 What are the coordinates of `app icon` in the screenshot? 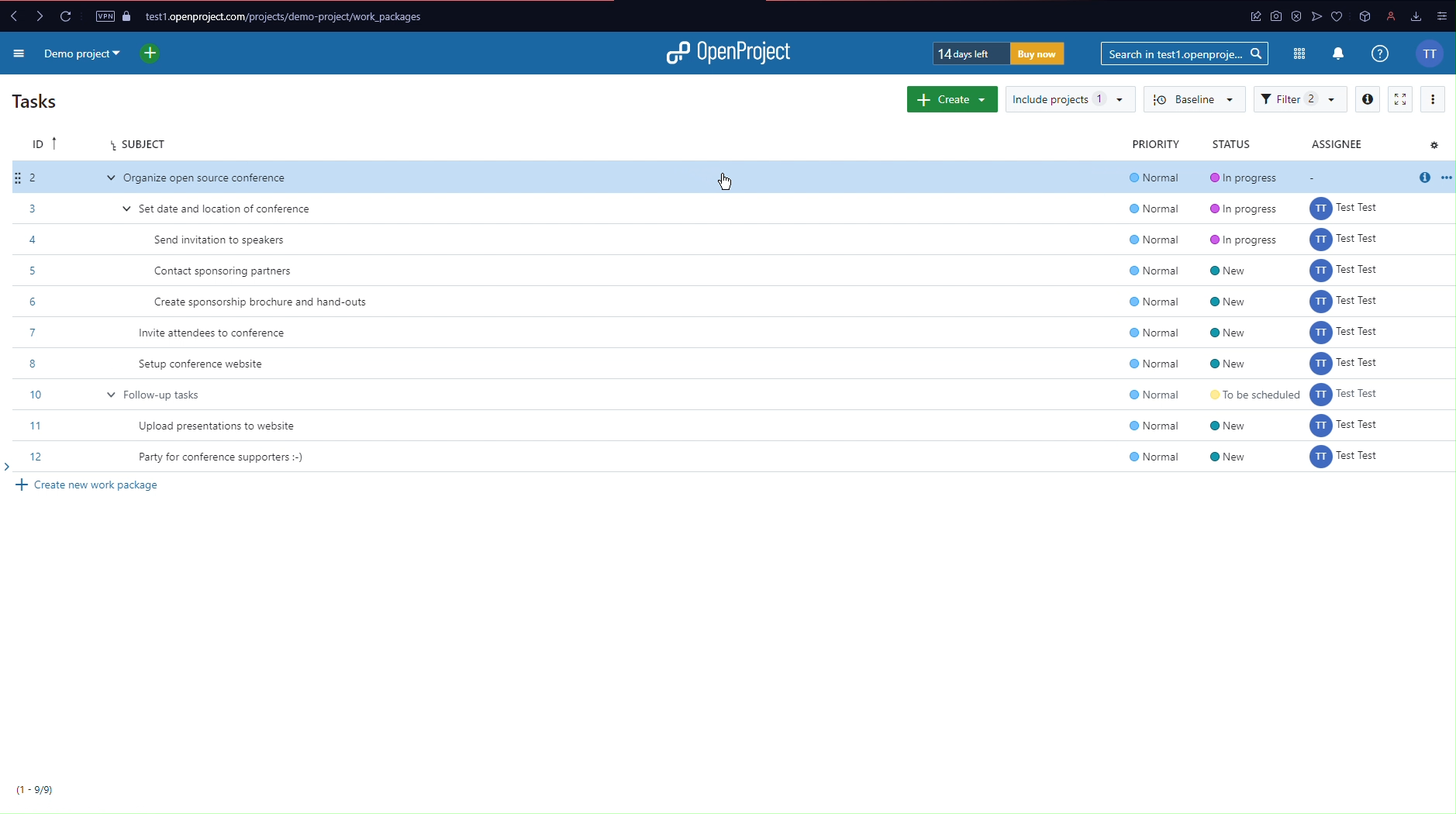 It's located at (1367, 16).